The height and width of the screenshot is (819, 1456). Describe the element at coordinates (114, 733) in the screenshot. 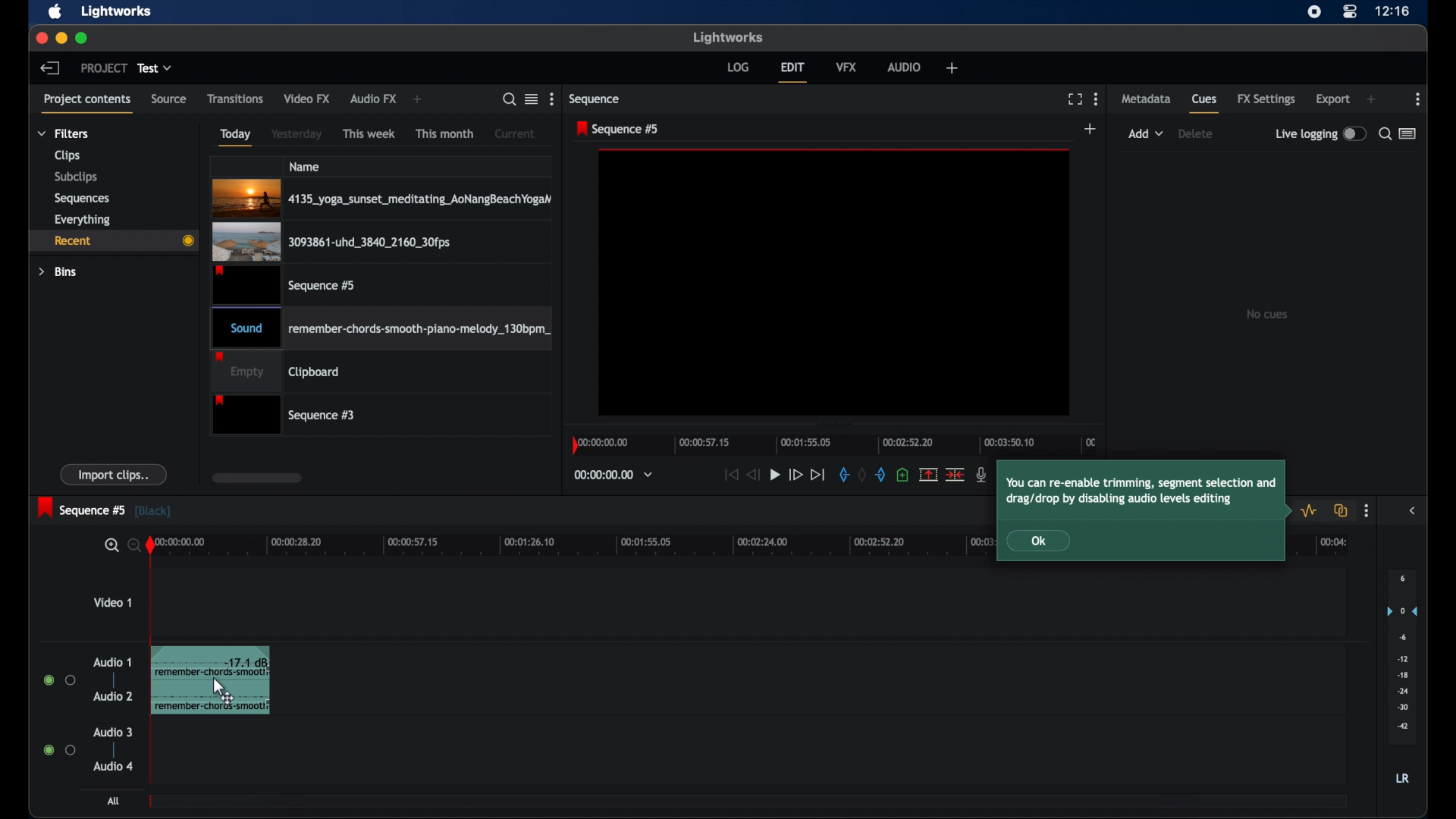

I see `audio 3` at that location.